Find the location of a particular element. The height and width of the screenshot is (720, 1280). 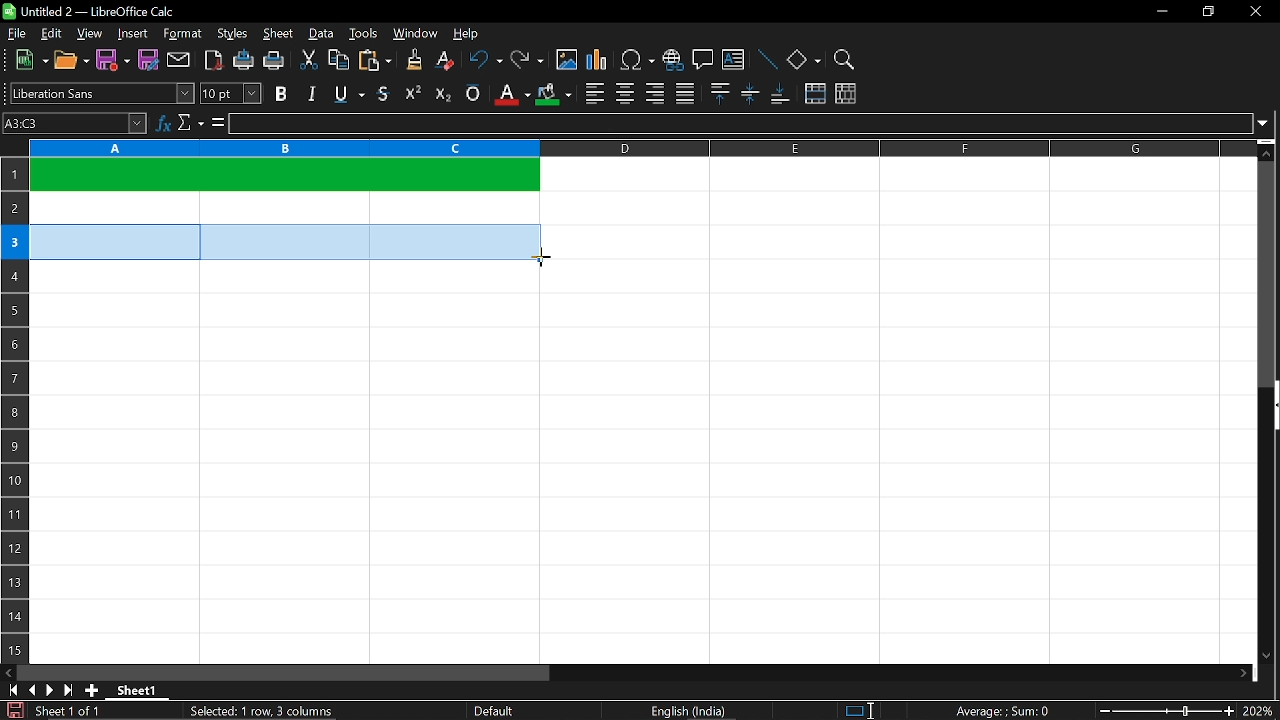

align bottom is located at coordinates (779, 95).